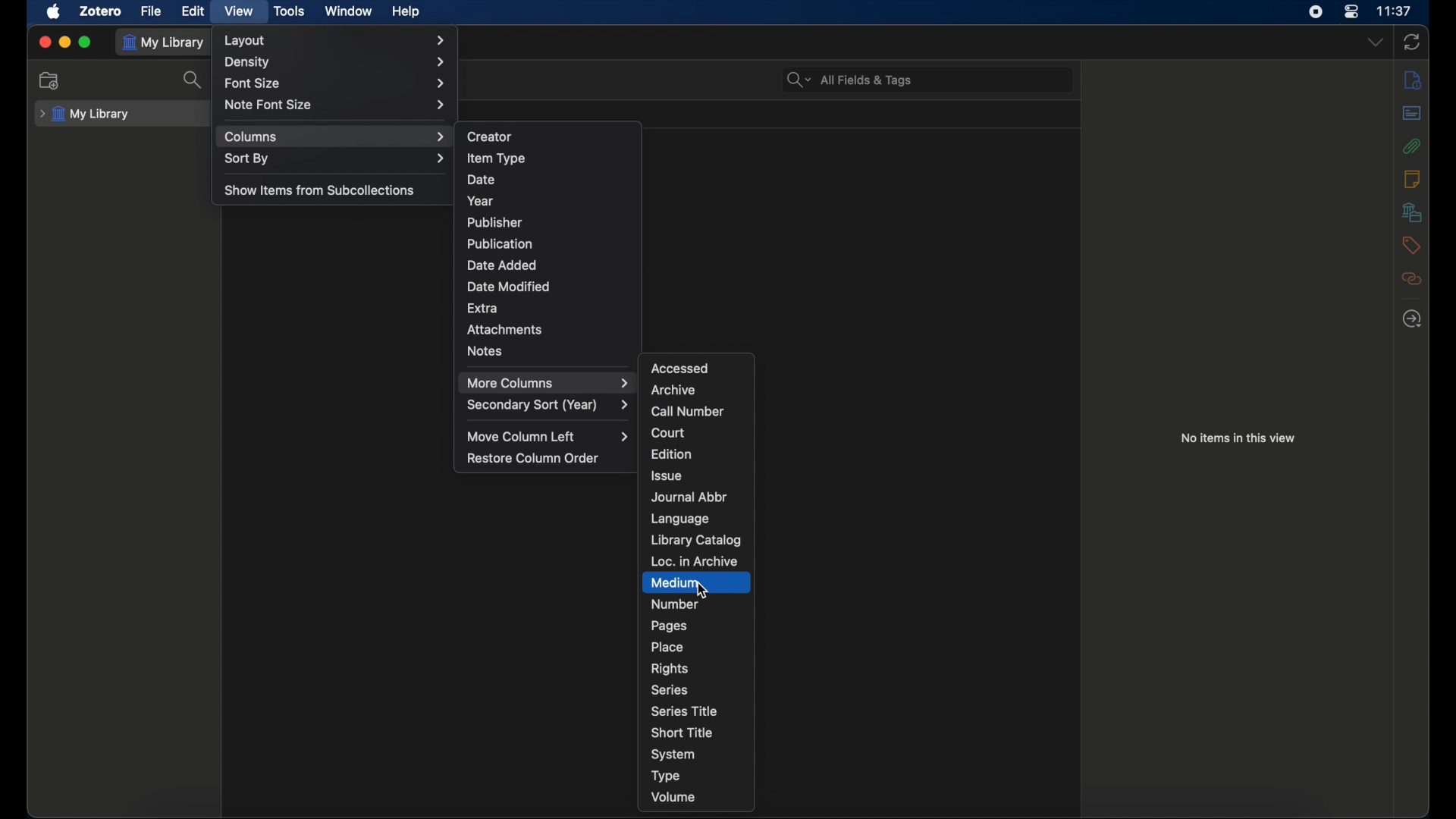  What do you see at coordinates (55, 11) in the screenshot?
I see `apple` at bounding box center [55, 11].